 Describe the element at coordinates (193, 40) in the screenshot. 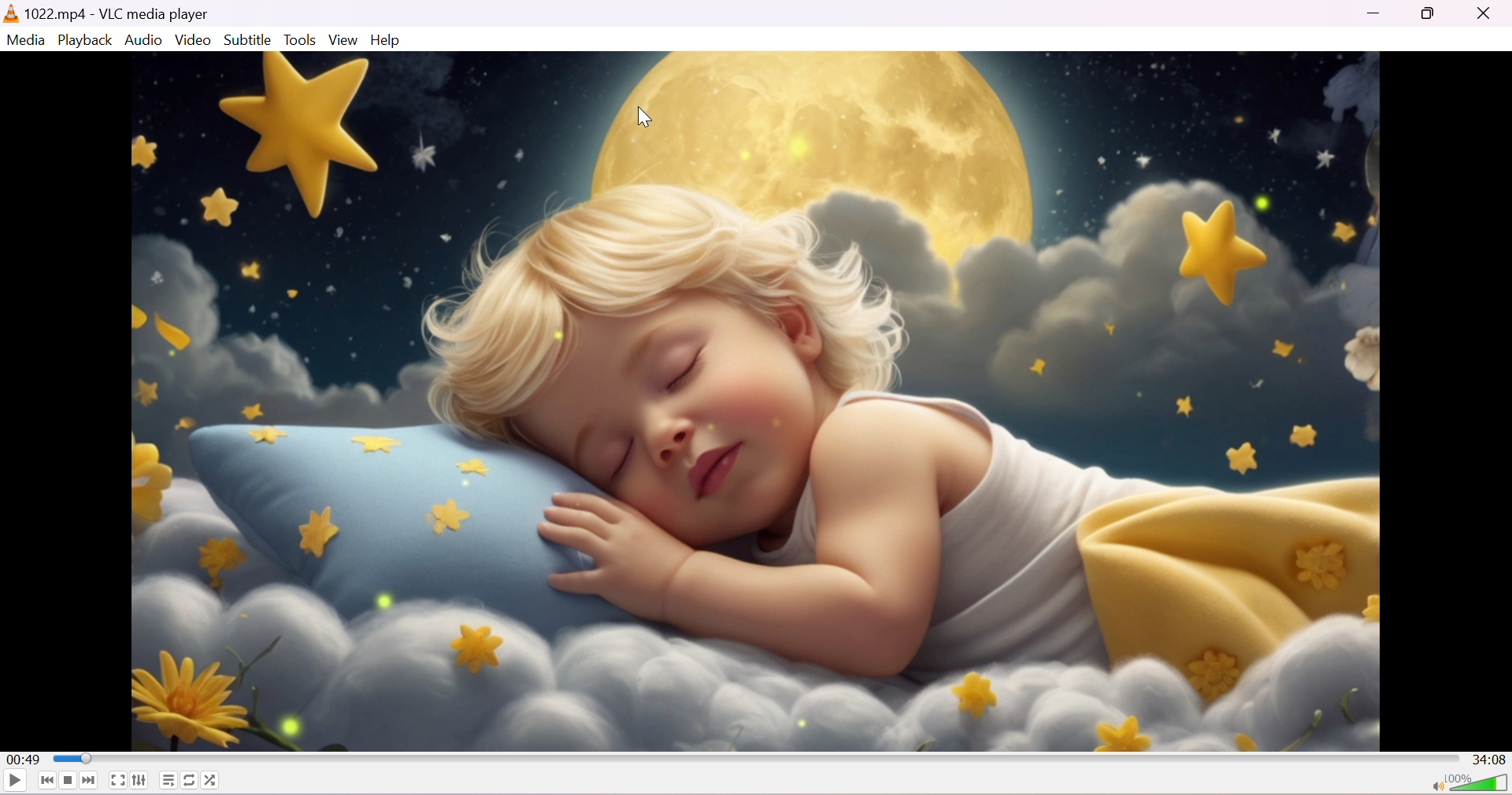

I see `Video` at that location.